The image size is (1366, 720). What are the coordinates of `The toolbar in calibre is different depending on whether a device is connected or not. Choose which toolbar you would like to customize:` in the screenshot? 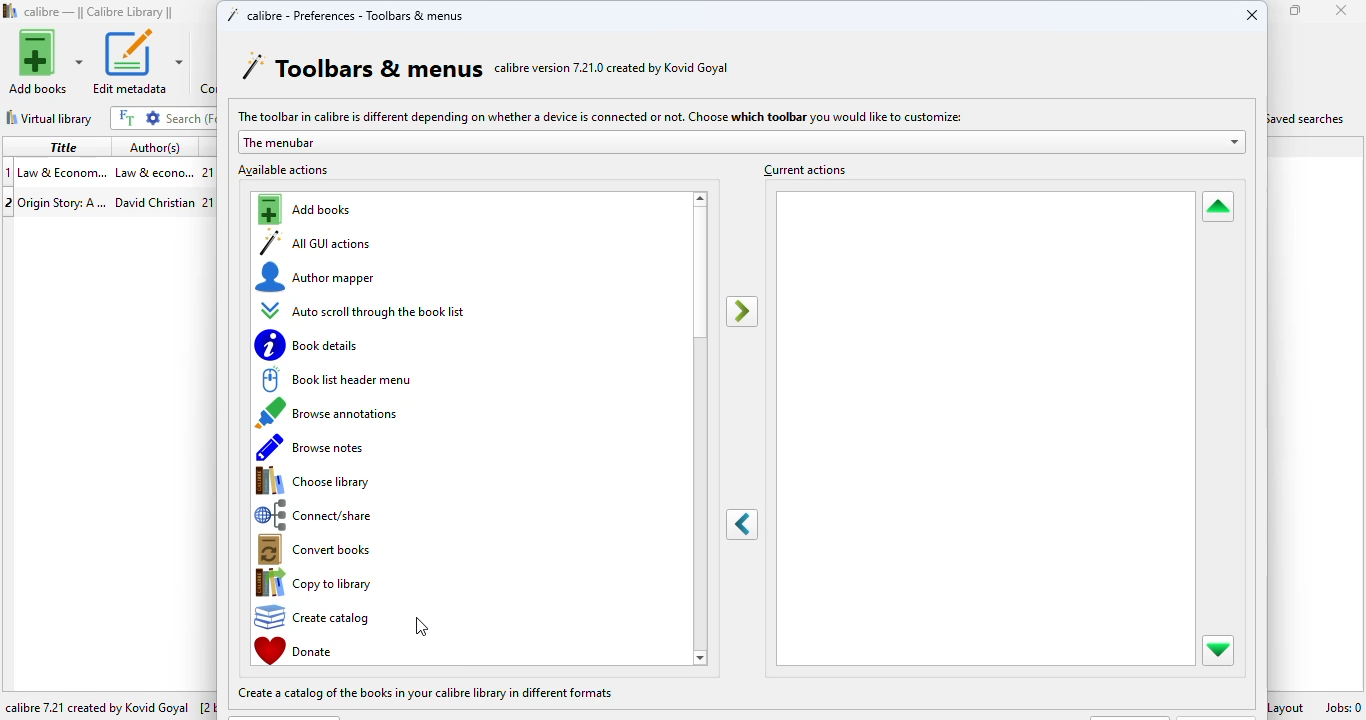 It's located at (598, 115).